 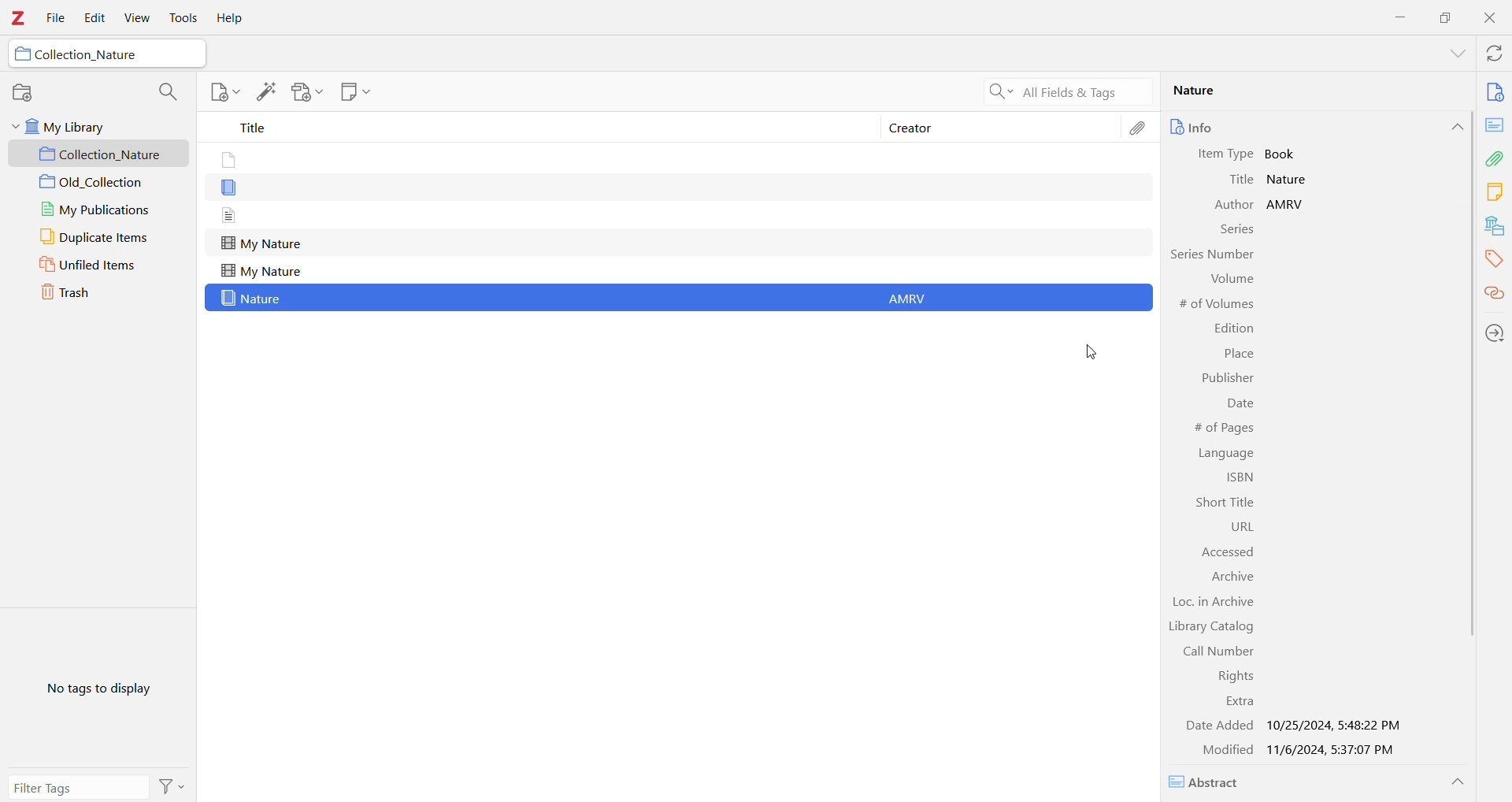 What do you see at coordinates (1398, 17) in the screenshot?
I see `Minimize` at bounding box center [1398, 17].